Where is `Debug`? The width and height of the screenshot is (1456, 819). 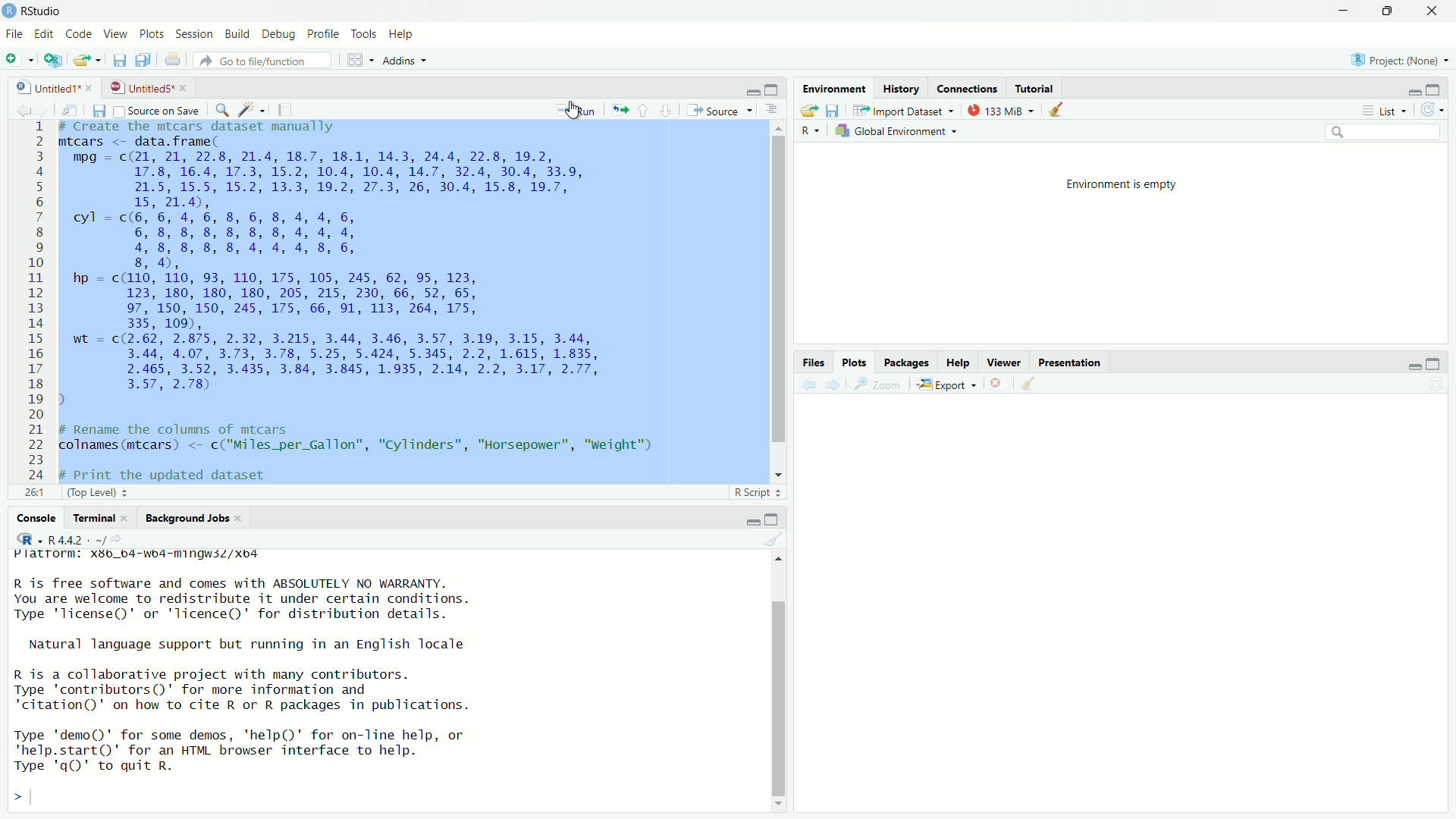 Debug is located at coordinates (279, 35).